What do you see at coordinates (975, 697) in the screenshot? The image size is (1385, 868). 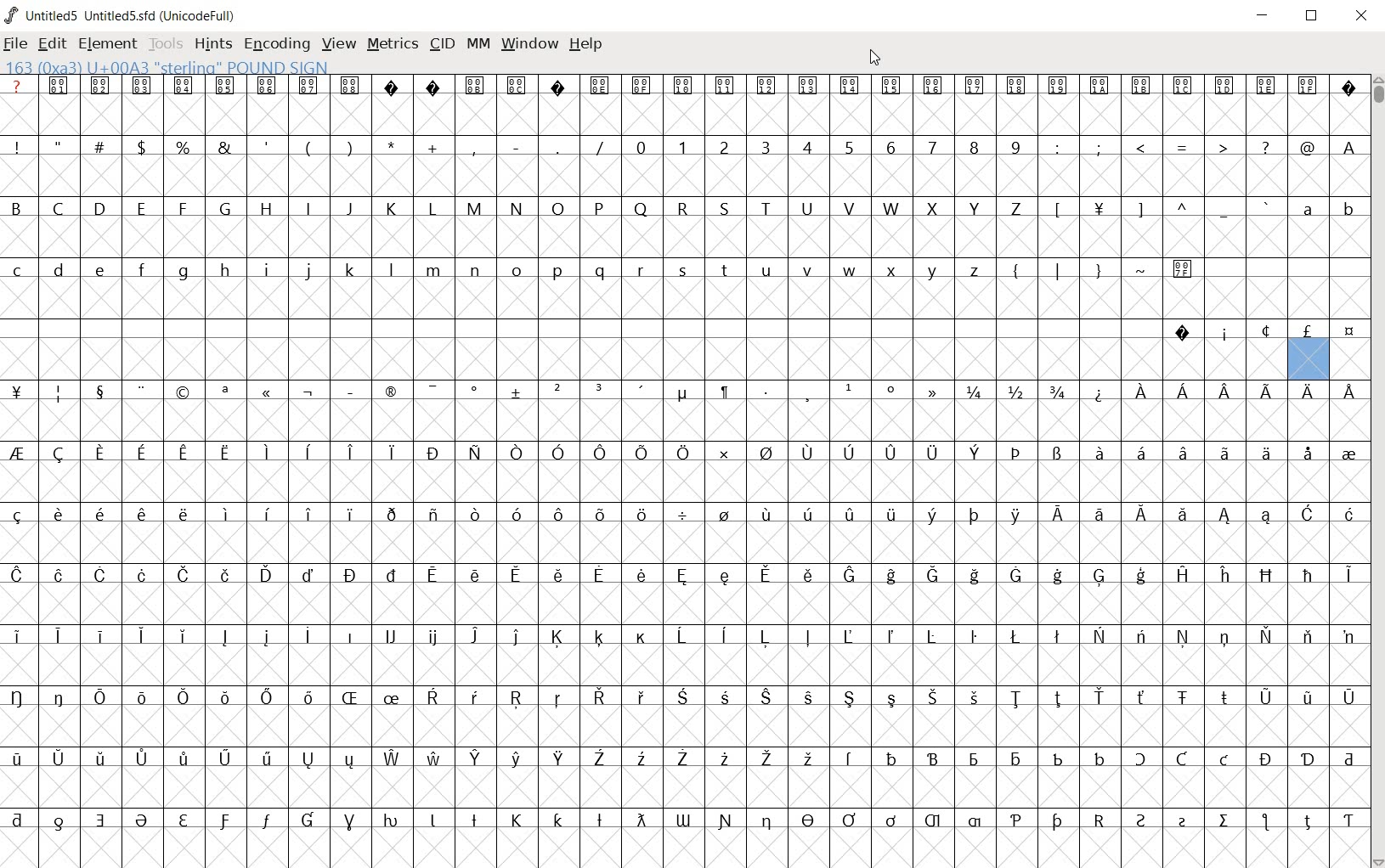 I see `Symbol` at bounding box center [975, 697].